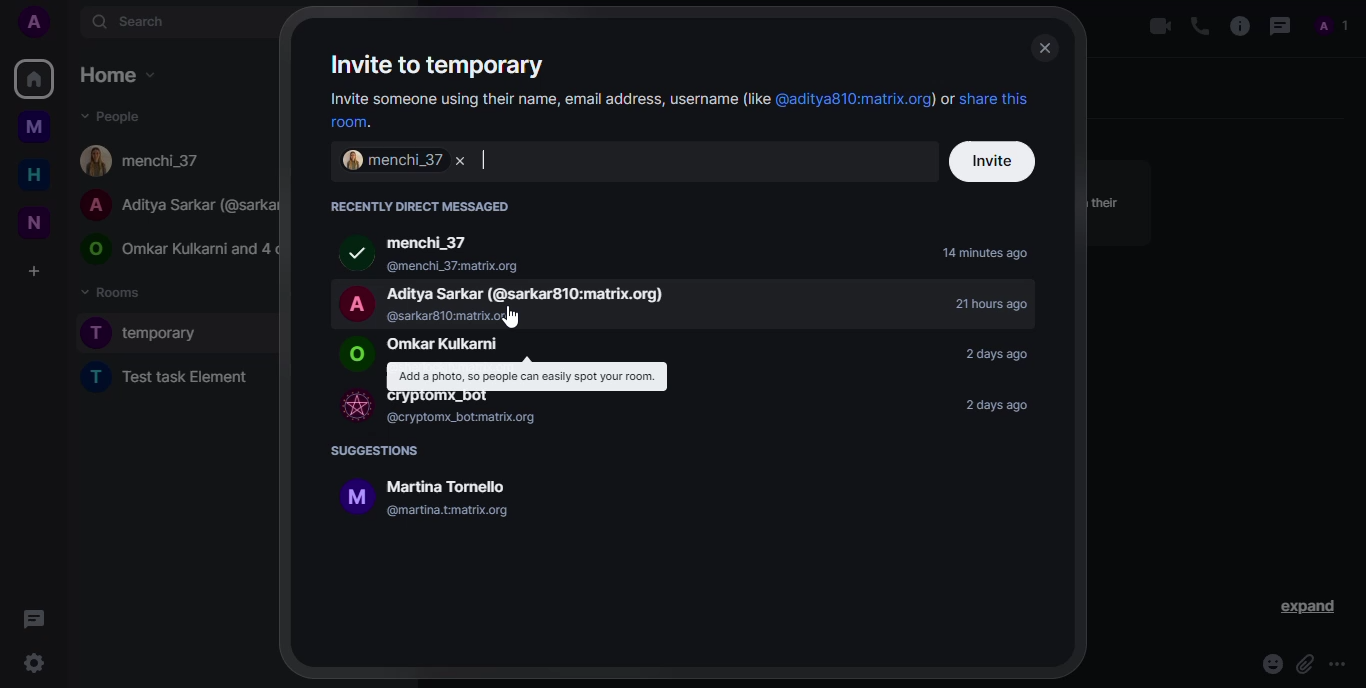 The image size is (1366, 688). I want to click on recent, so click(419, 205).